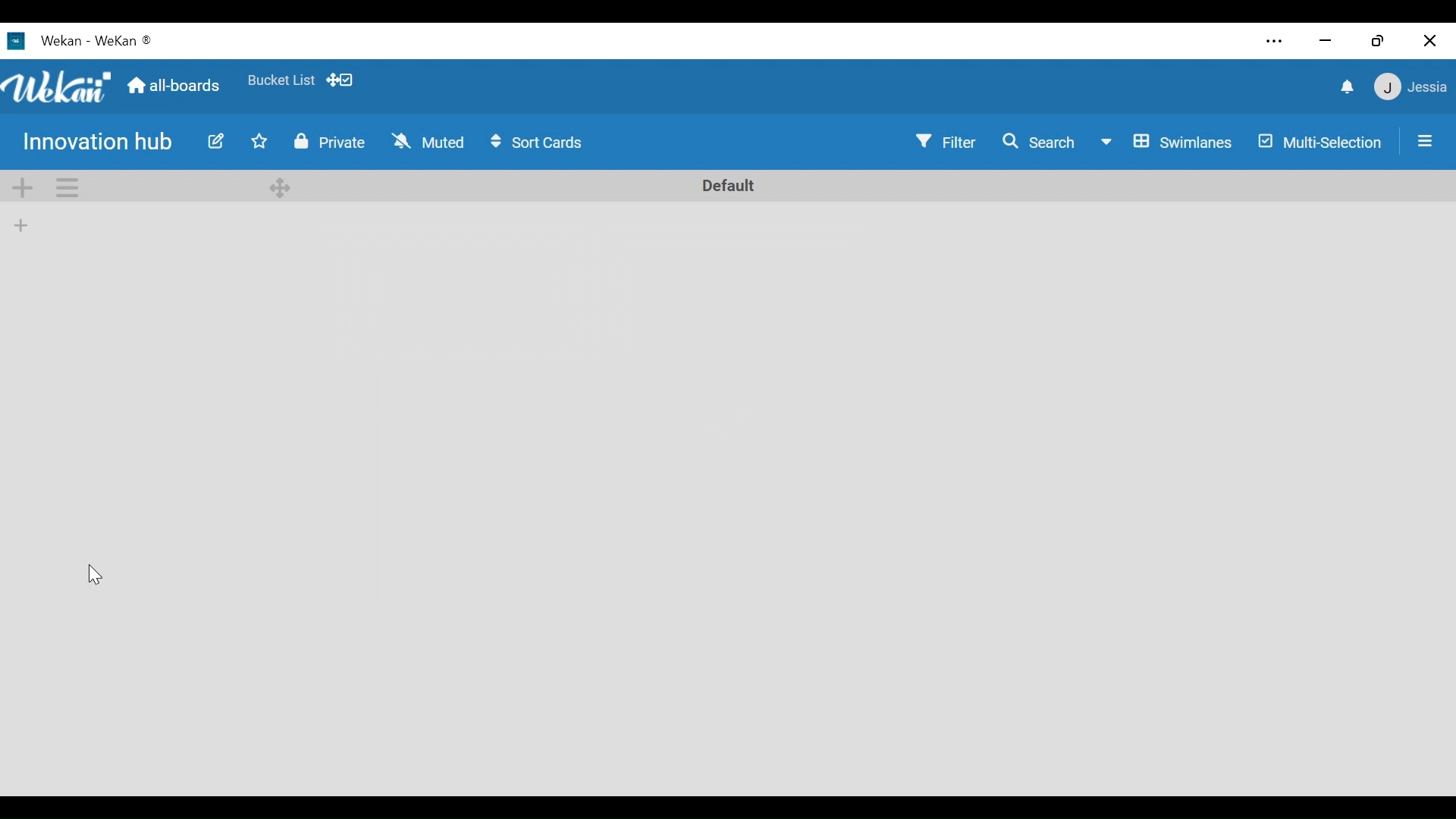 Image resolution: width=1456 pixels, height=819 pixels. I want to click on Board View, so click(1164, 142).